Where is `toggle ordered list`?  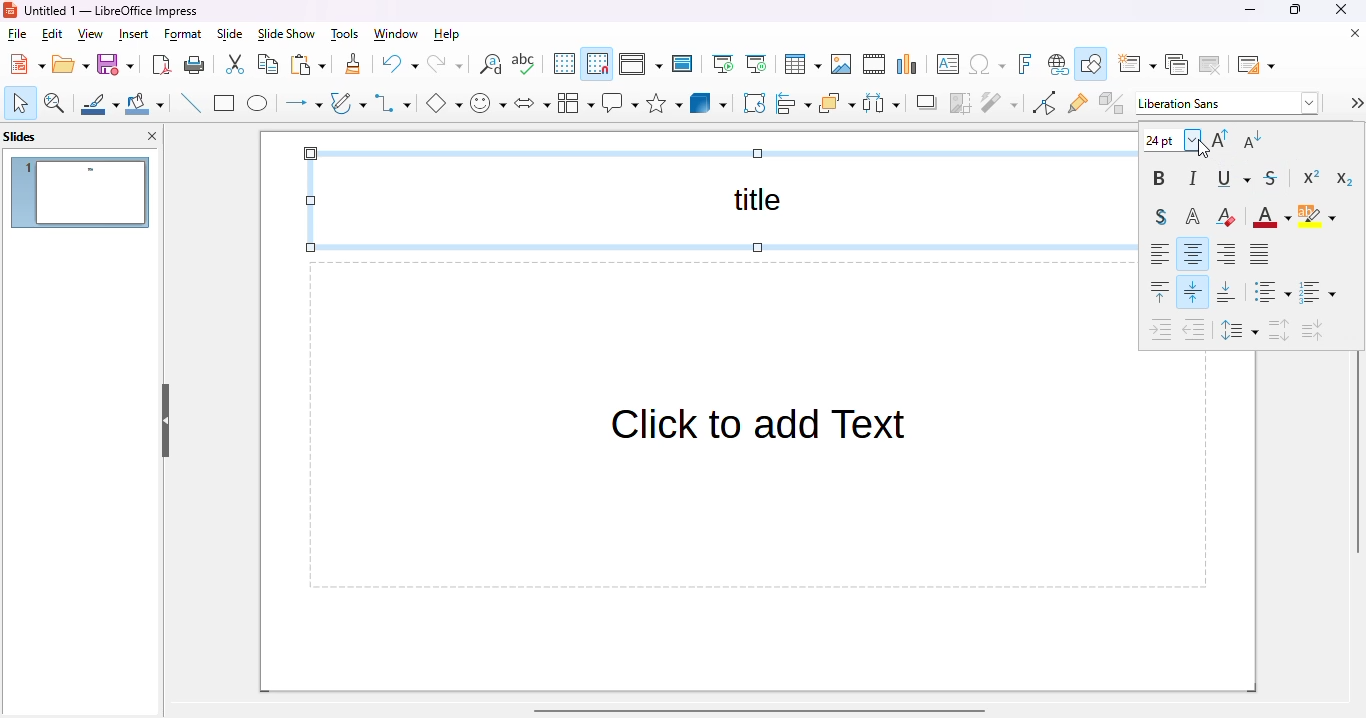
toggle ordered list is located at coordinates (1317, 292).